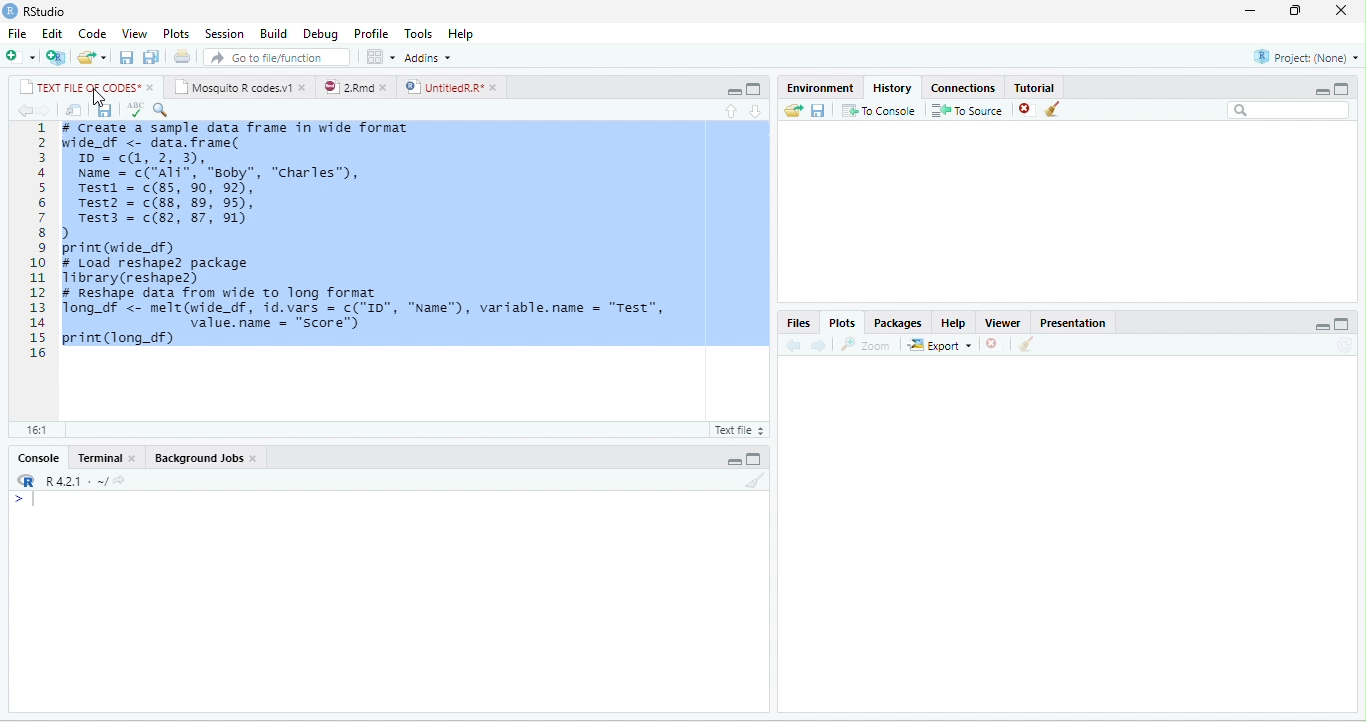 Image resolution: width=1366 pixels, height=722 pixels. What do you see at coordinates (752, 90) in the screenshot?
I see `maximize` at bounding box center [752, 90].